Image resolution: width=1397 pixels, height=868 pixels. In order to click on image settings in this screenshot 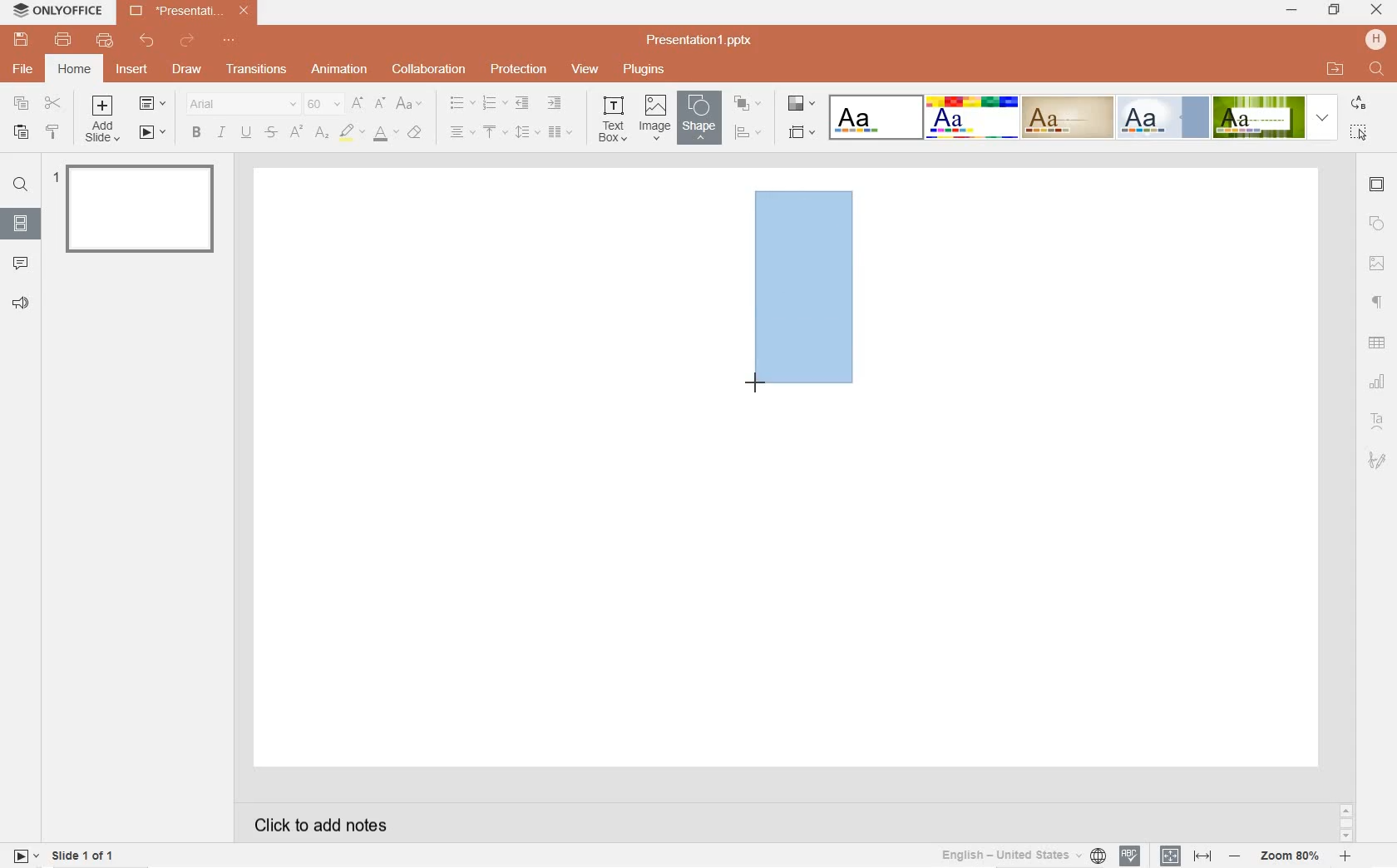, I will do `click(1377, 264)`.